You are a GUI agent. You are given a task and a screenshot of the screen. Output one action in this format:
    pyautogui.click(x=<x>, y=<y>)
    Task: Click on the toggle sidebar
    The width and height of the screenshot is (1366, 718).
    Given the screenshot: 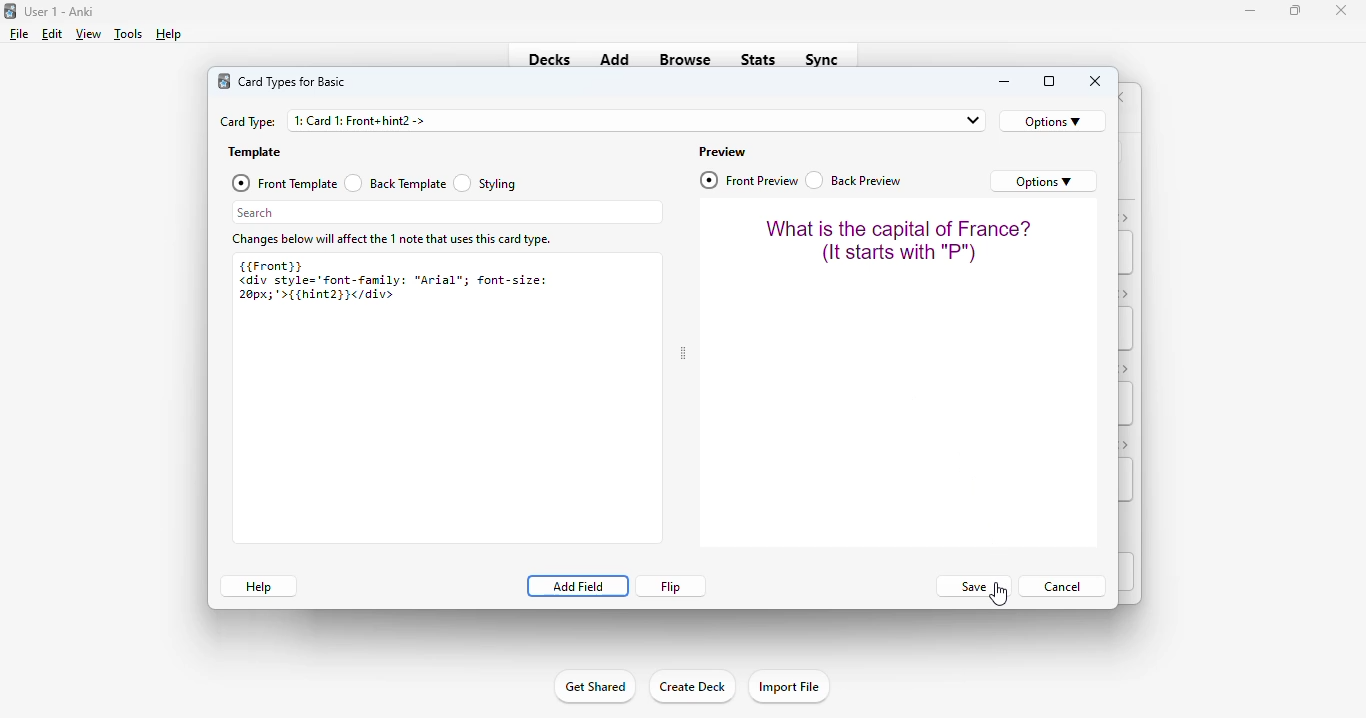 What is the action you would take?
    pyautogui.click(x=683, y=354)
    